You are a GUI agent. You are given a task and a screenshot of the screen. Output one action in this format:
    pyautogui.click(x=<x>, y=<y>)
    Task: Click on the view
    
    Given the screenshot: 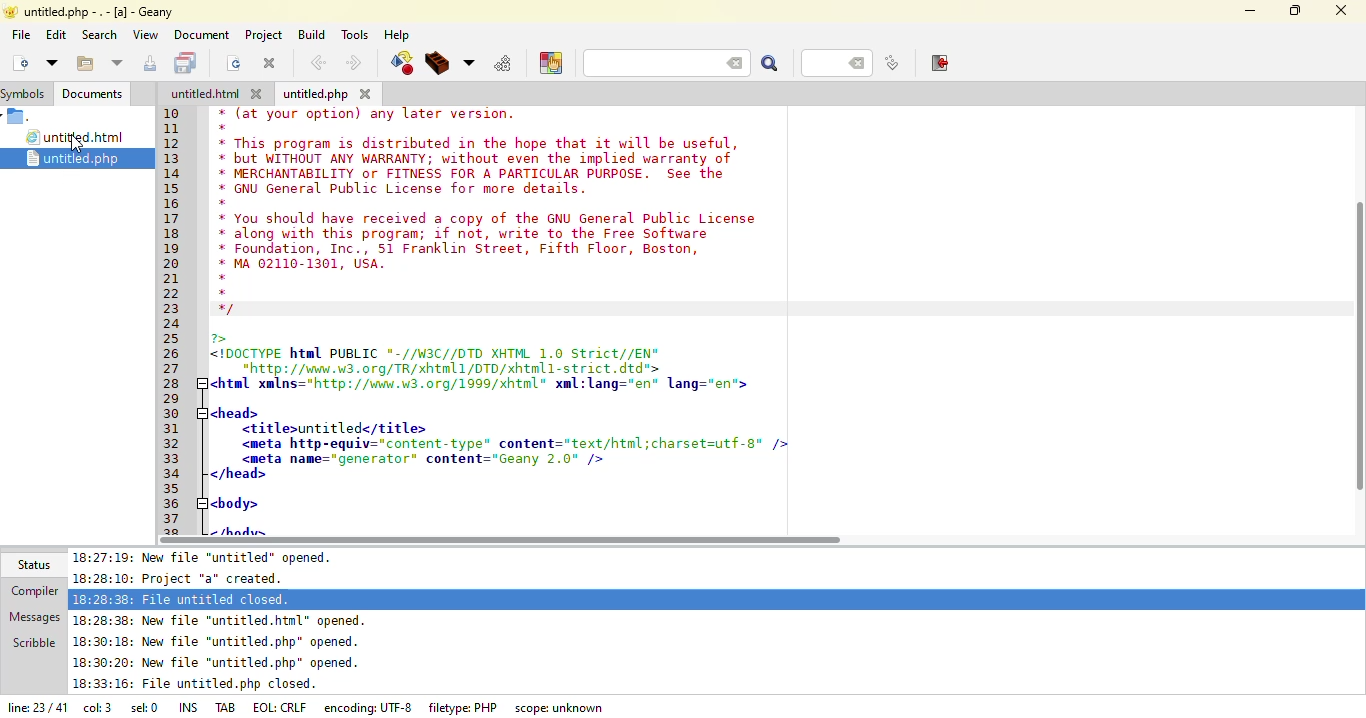 What is the action you would take?
    pyautogui.click(x=146, y=35)
    